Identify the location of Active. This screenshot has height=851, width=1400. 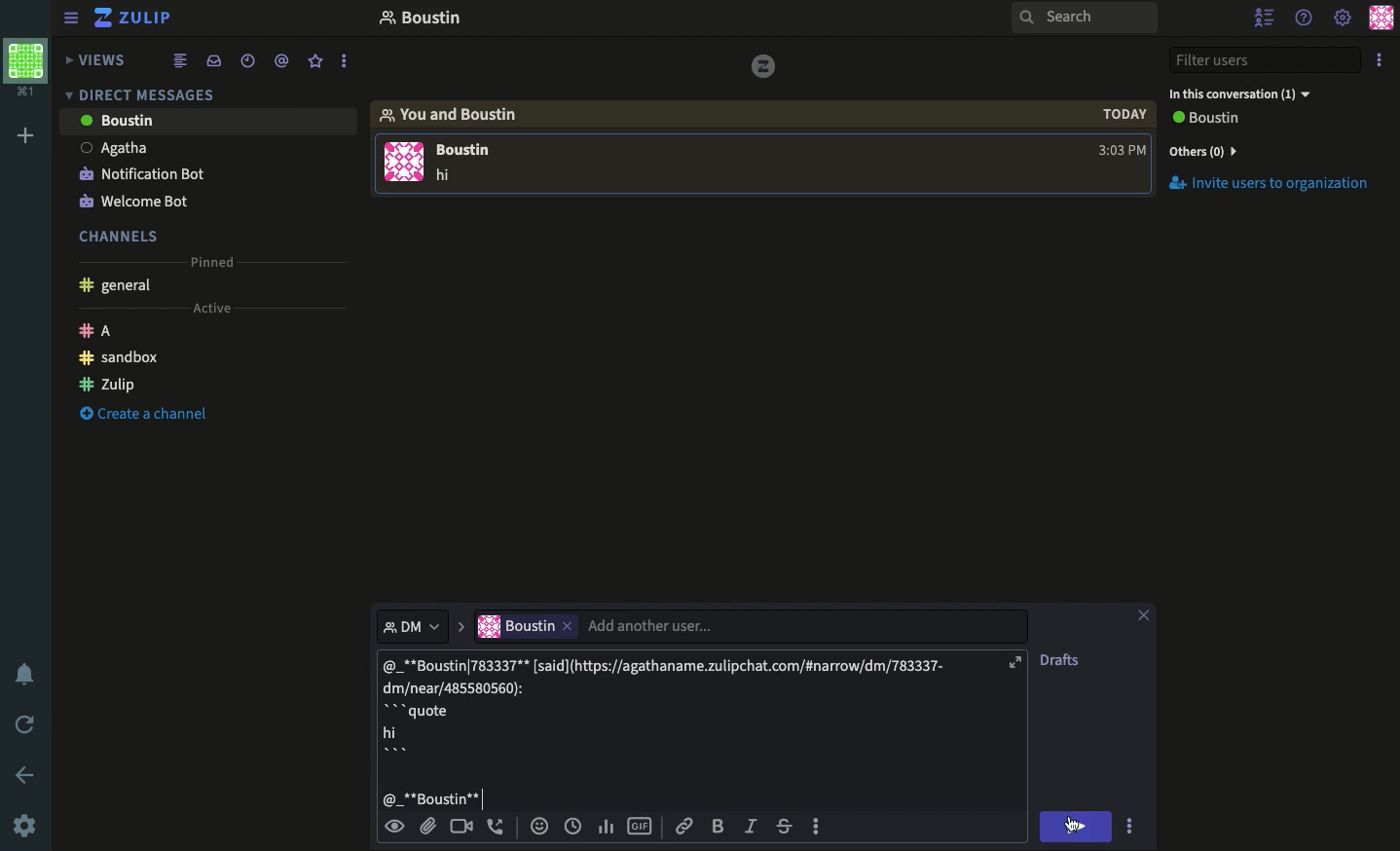
(219, 308).